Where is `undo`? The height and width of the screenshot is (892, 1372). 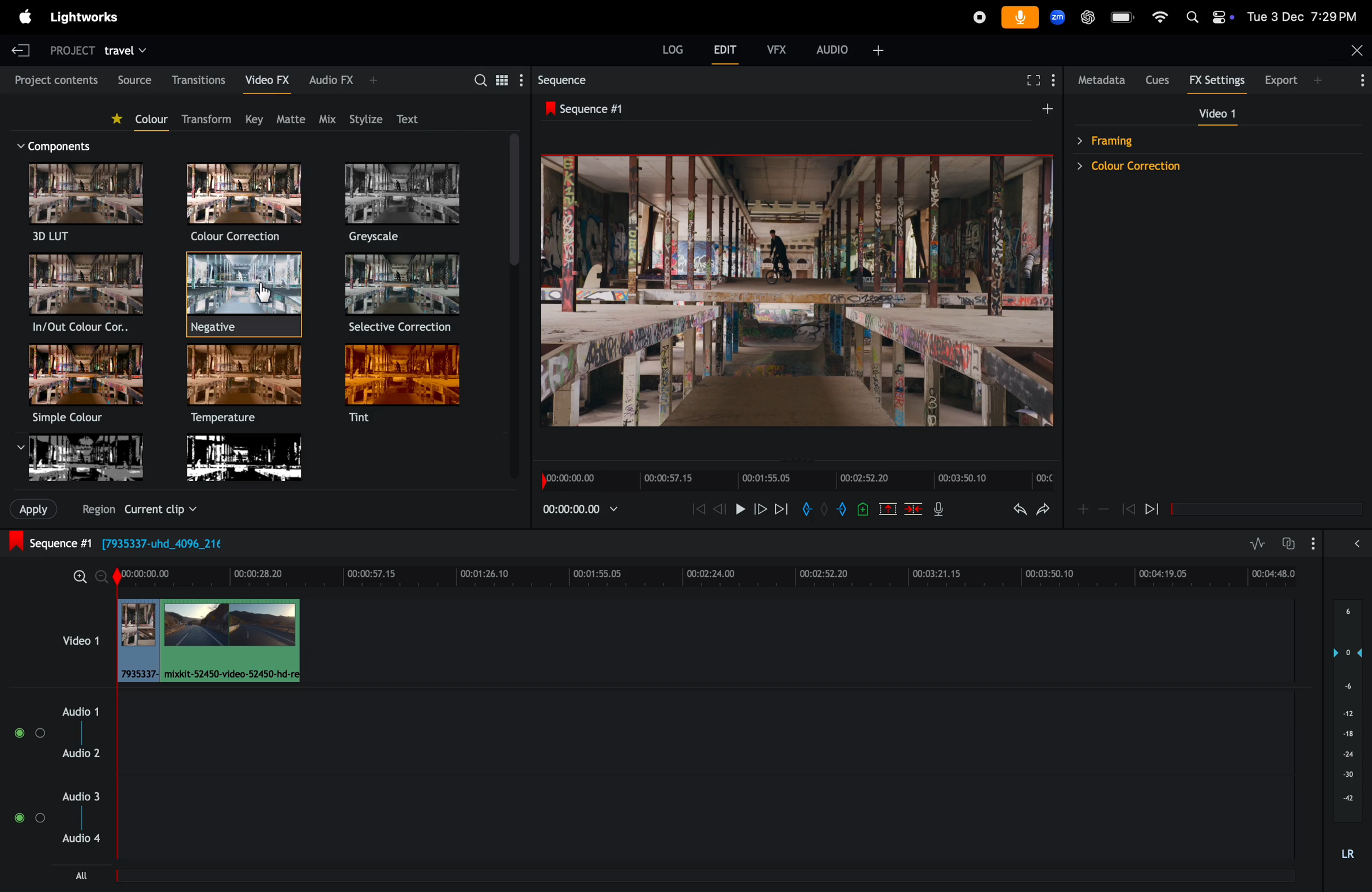 undo is located at coordinates (1013, 511).